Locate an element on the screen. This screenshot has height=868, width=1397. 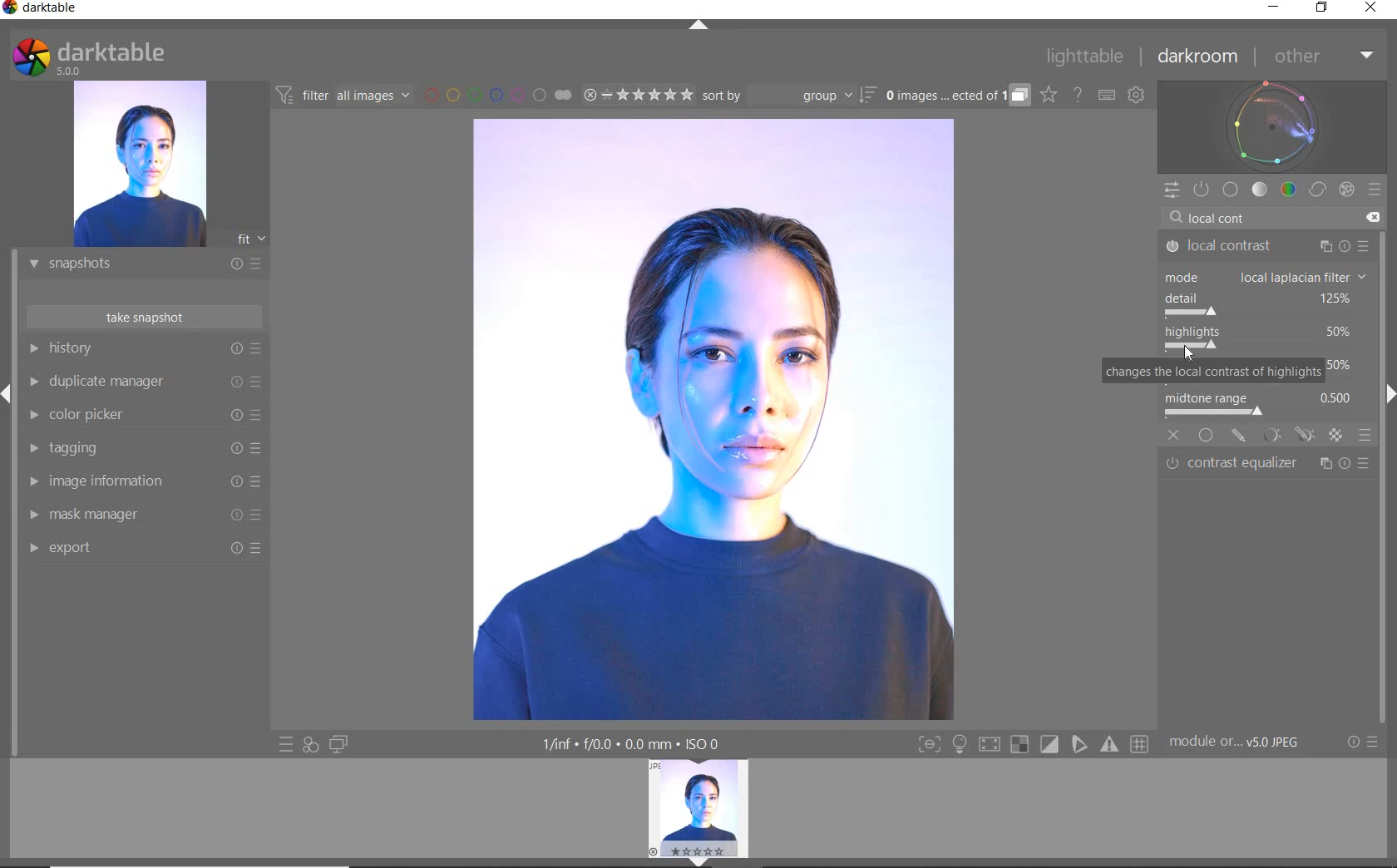
CORRECT is located at coordinates (1319, 191).